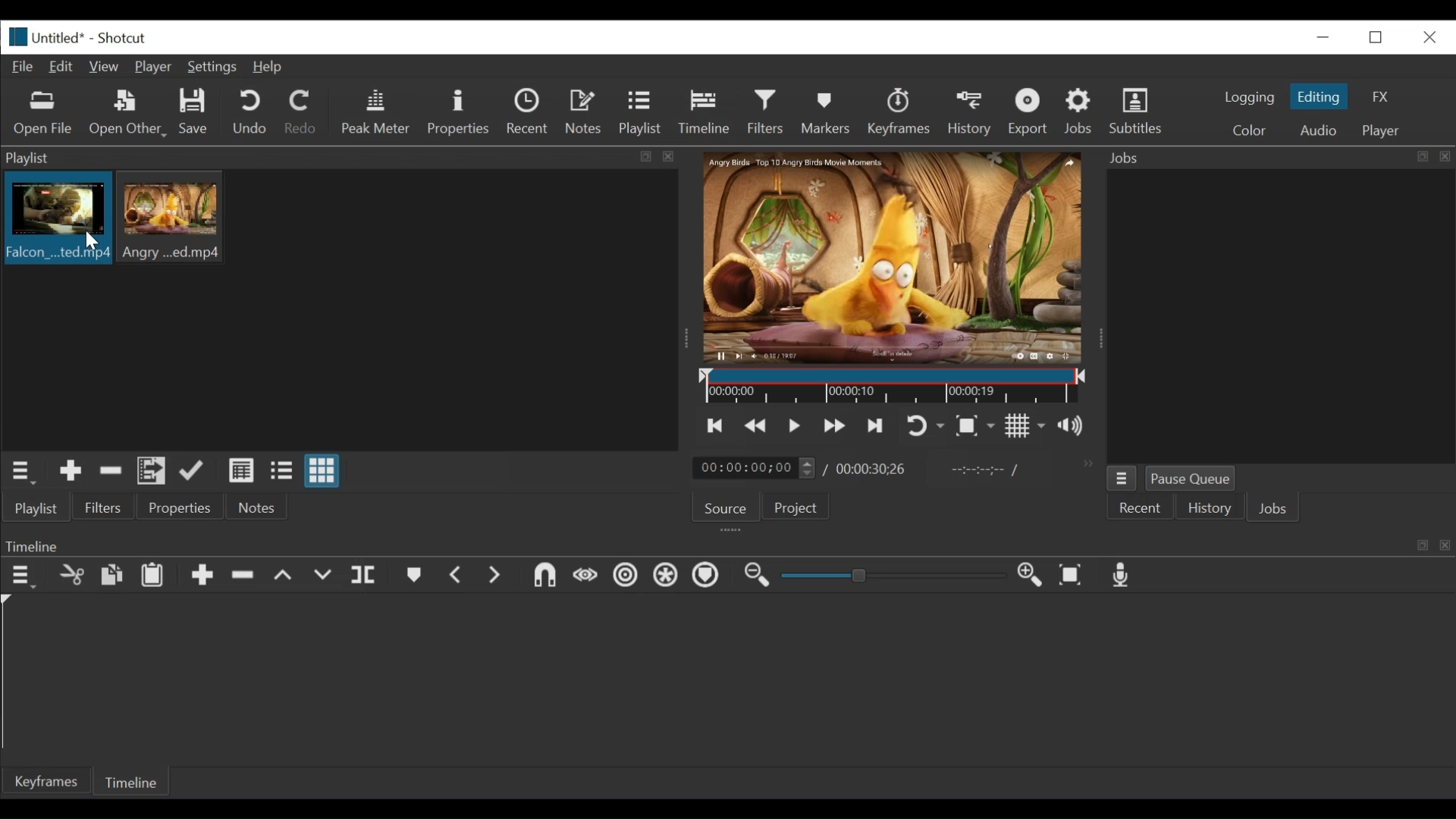 The width and height of the screenshot is (1456, 819). I want to click on Toggle play or pause, so click(795, 425).